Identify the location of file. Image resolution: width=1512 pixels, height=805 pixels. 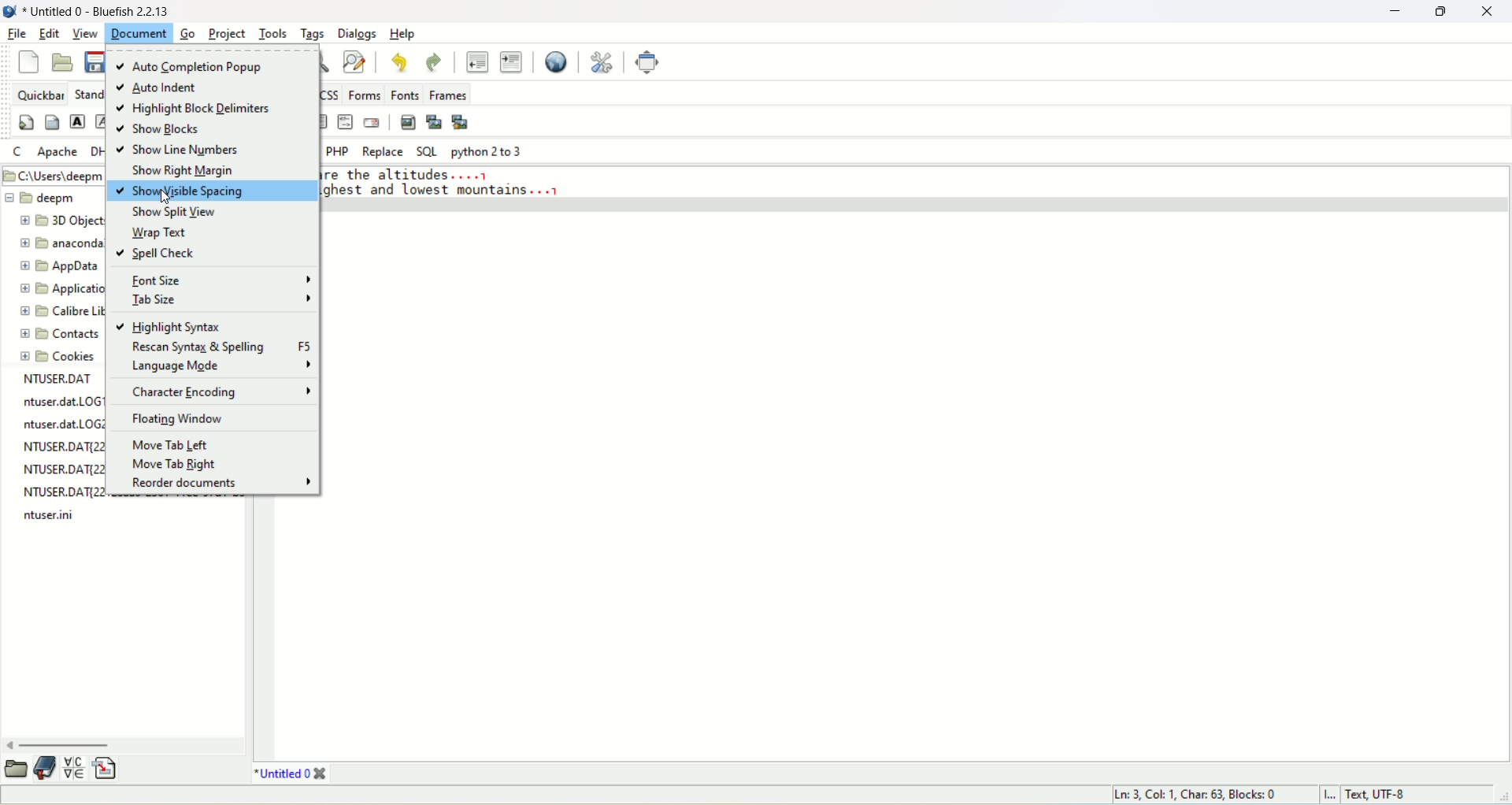
(19, 35).